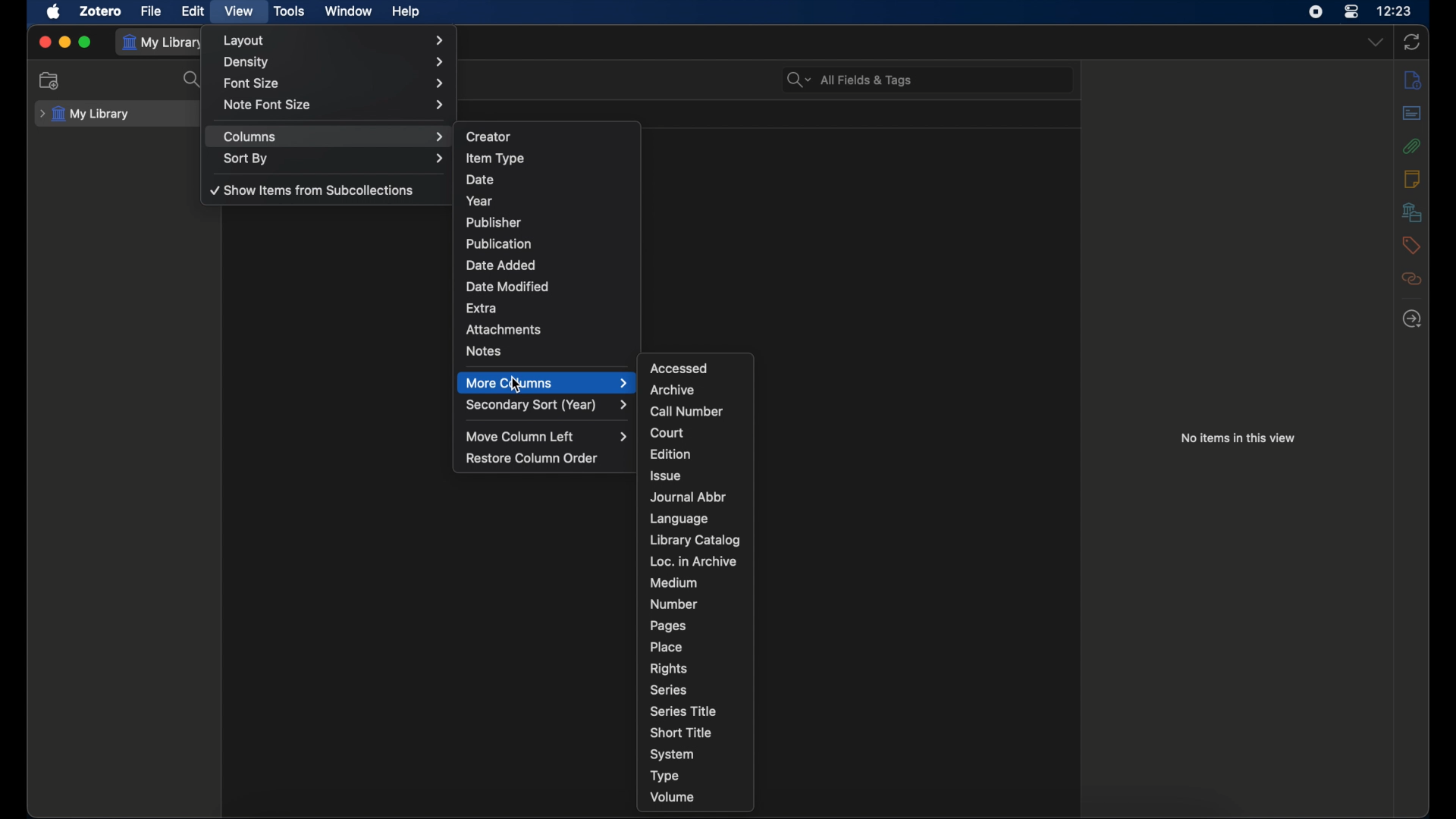 The height and width of the screenshot is (819, 1456). Describe the element at coordinates (678, 368) in the screenshot. I see `accessed` at that location.